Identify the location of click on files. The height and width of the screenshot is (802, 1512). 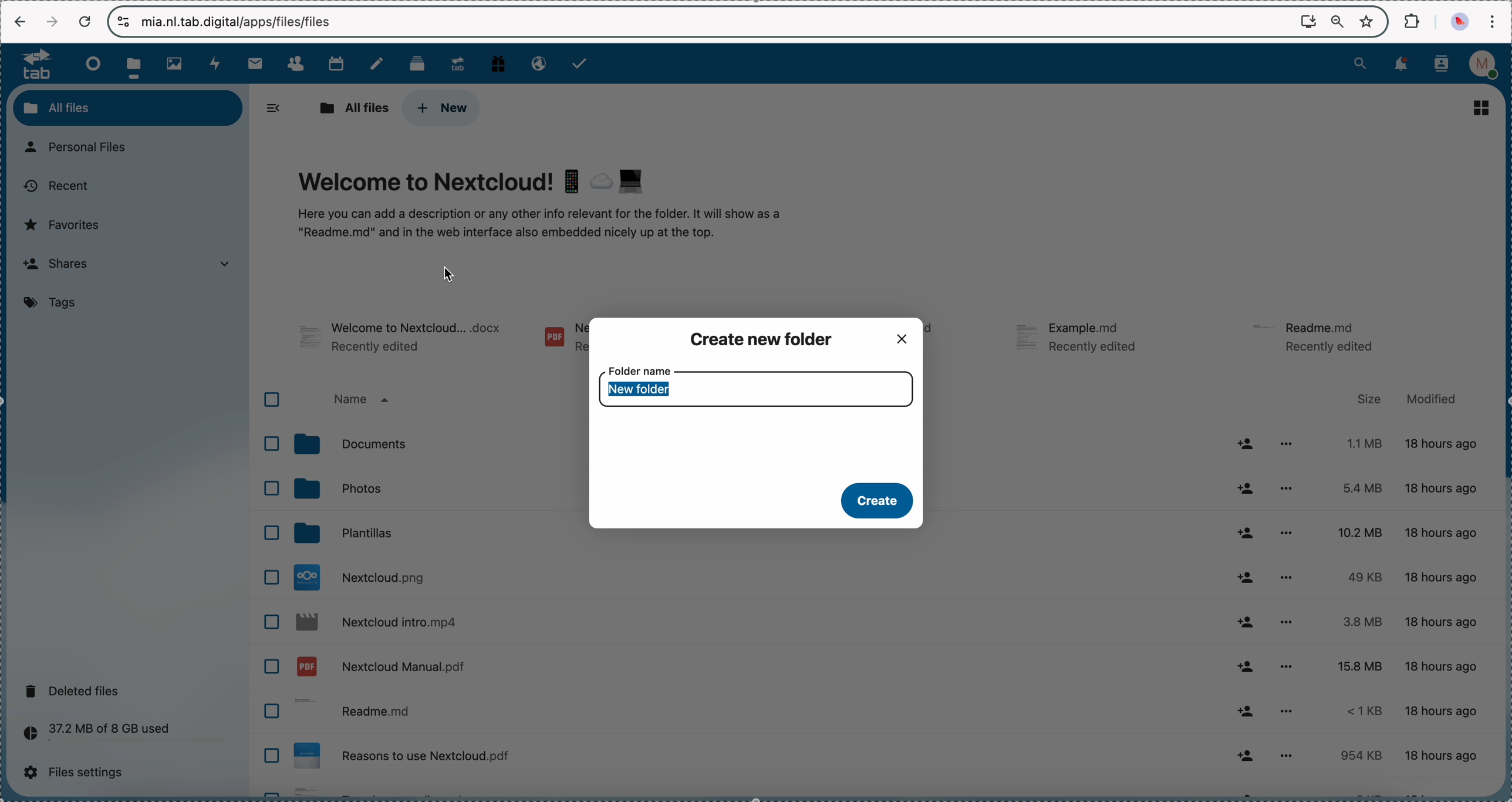
(137, 63).